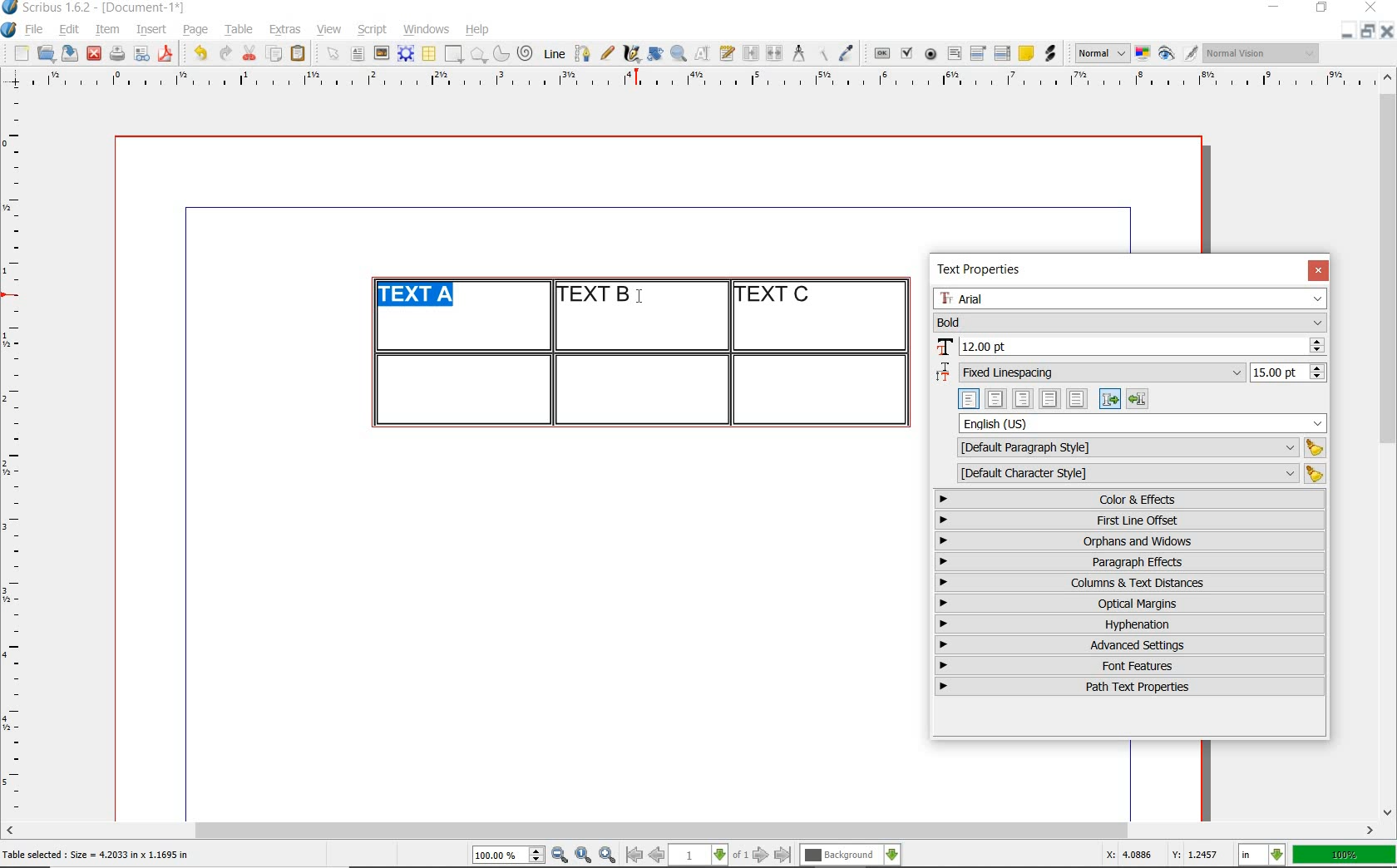  I want to click on help, so click(476, 31).